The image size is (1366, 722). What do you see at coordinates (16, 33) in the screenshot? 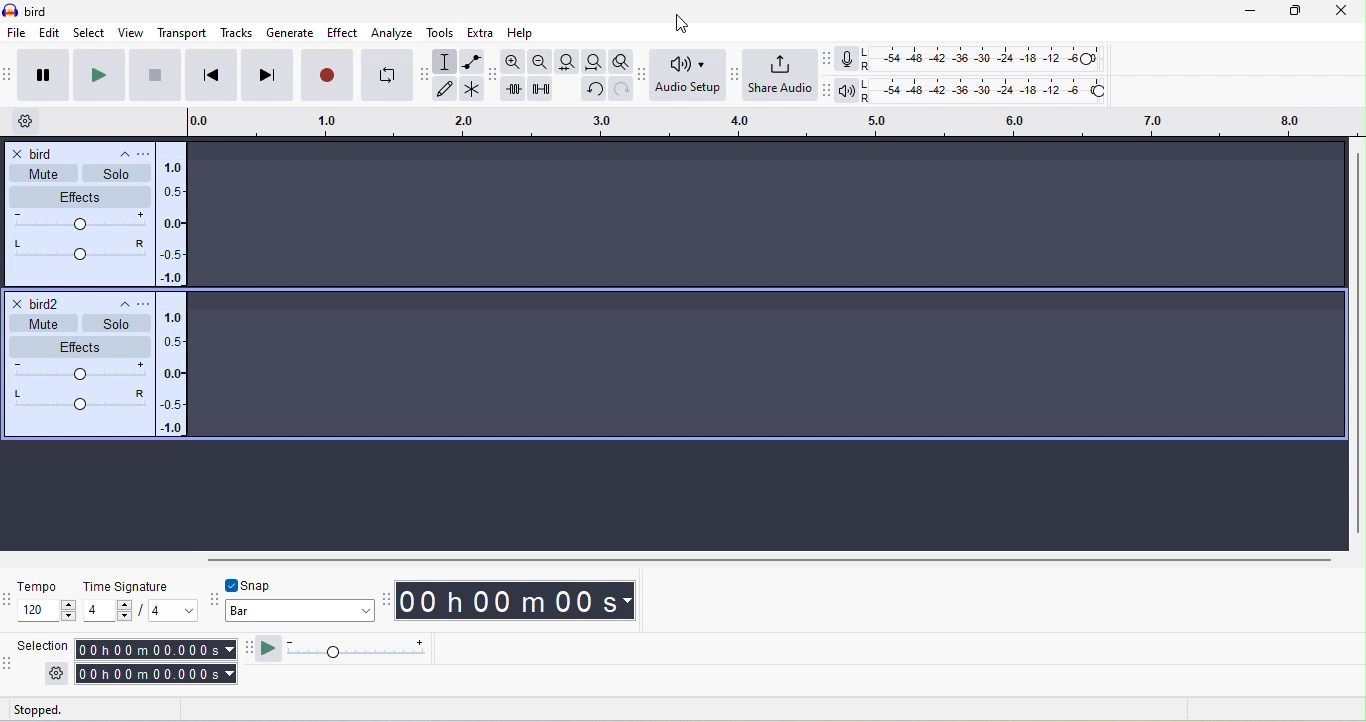
I see `file` at bounding box center [16, 33].